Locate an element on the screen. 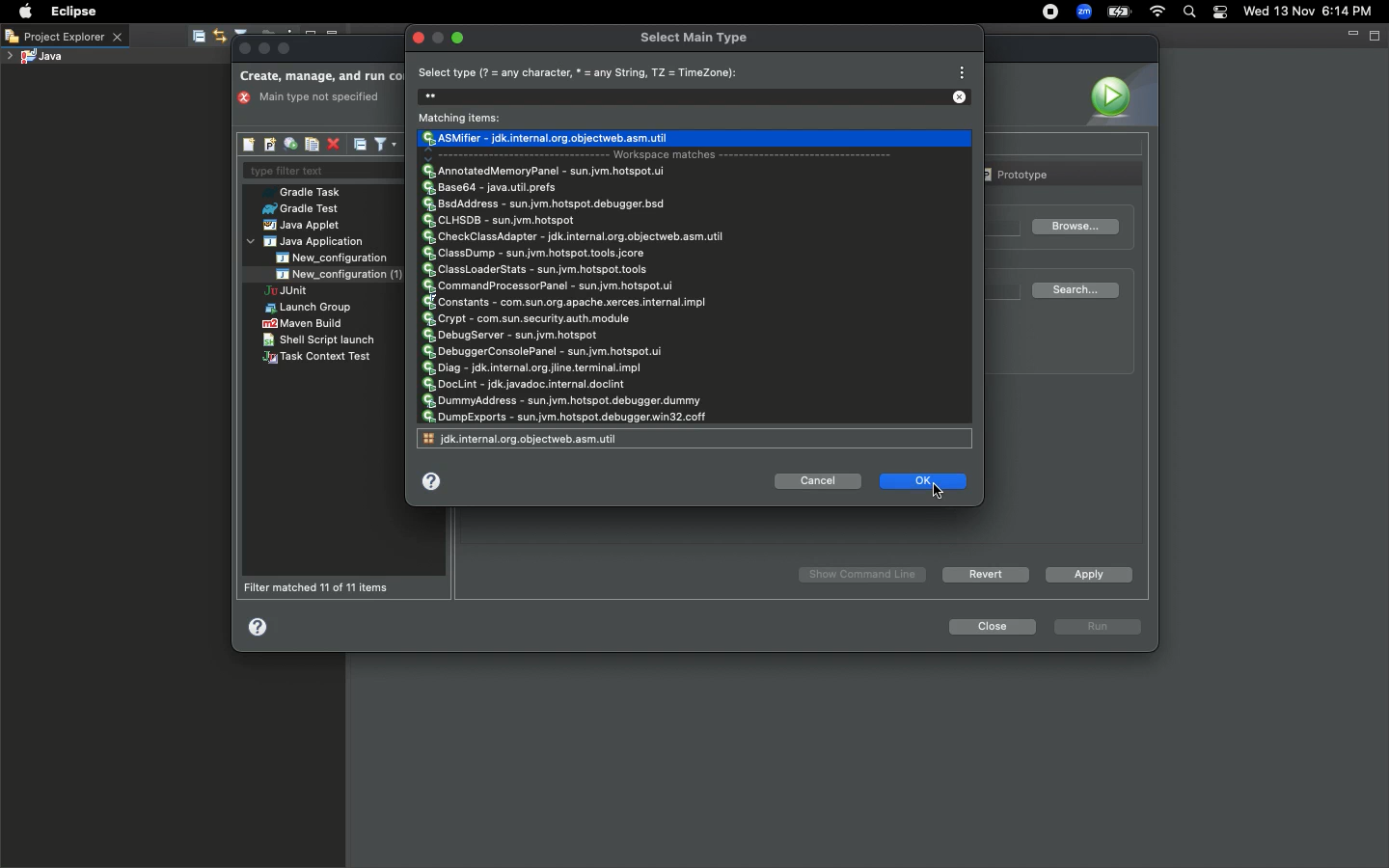 The width and height of the screenshot is (1389, 868). Date/time is located at coordinates (1316, 11).